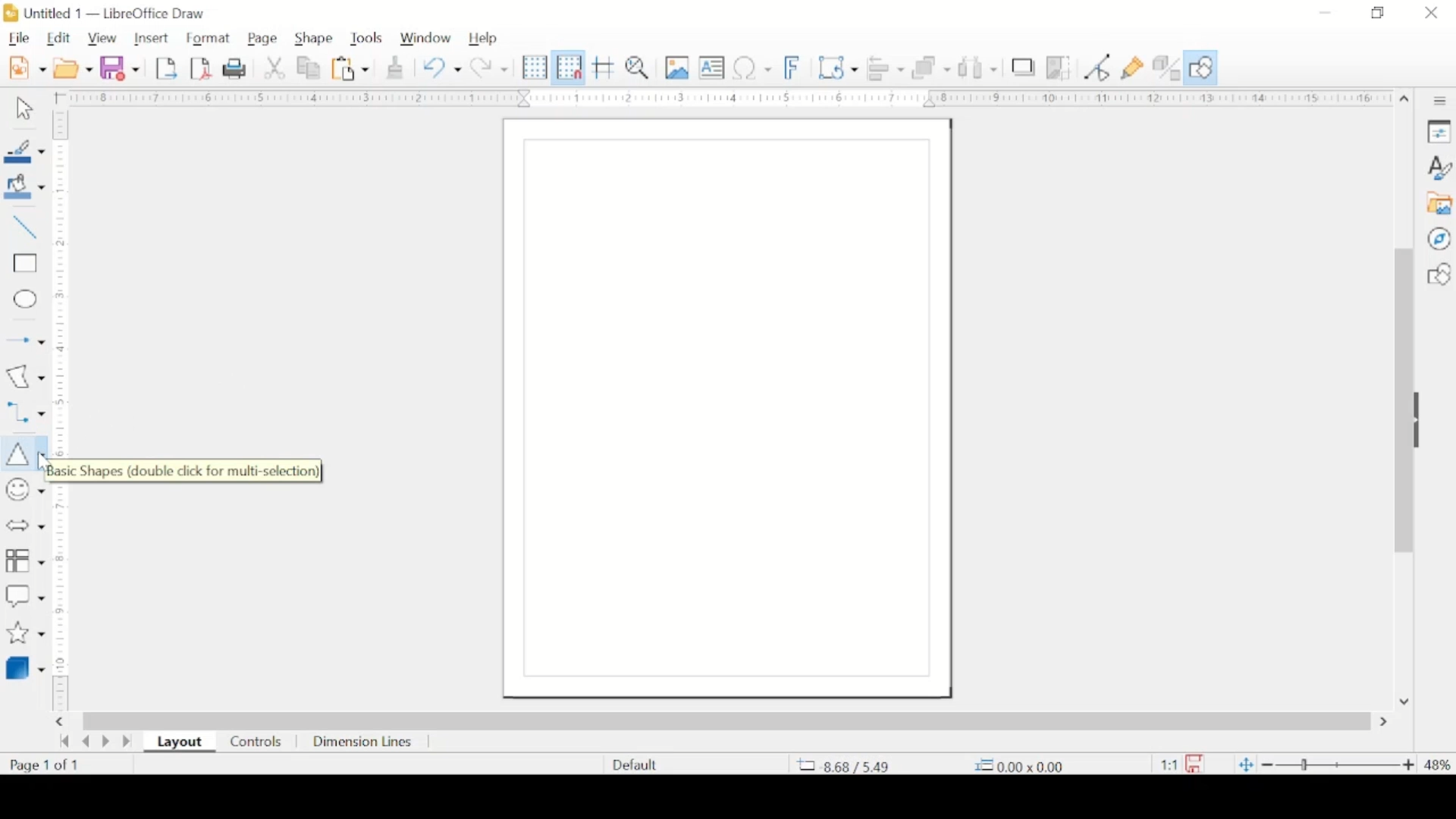 Image resolution: width=1456 pixels, height=819 pixels. I want to click on margin, so click(724, 99).